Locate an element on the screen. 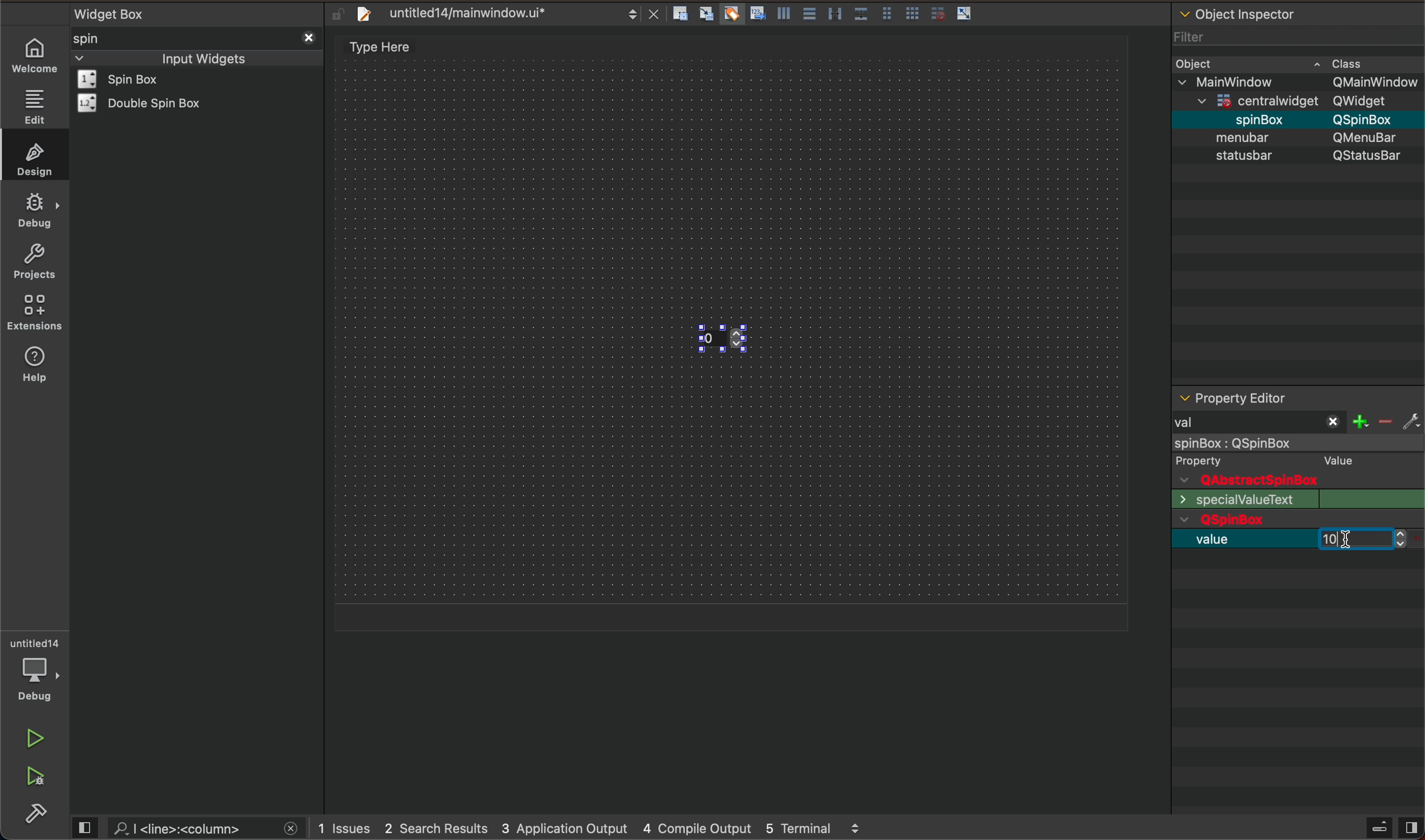  qwidget is located at coordinates (1298, 521).